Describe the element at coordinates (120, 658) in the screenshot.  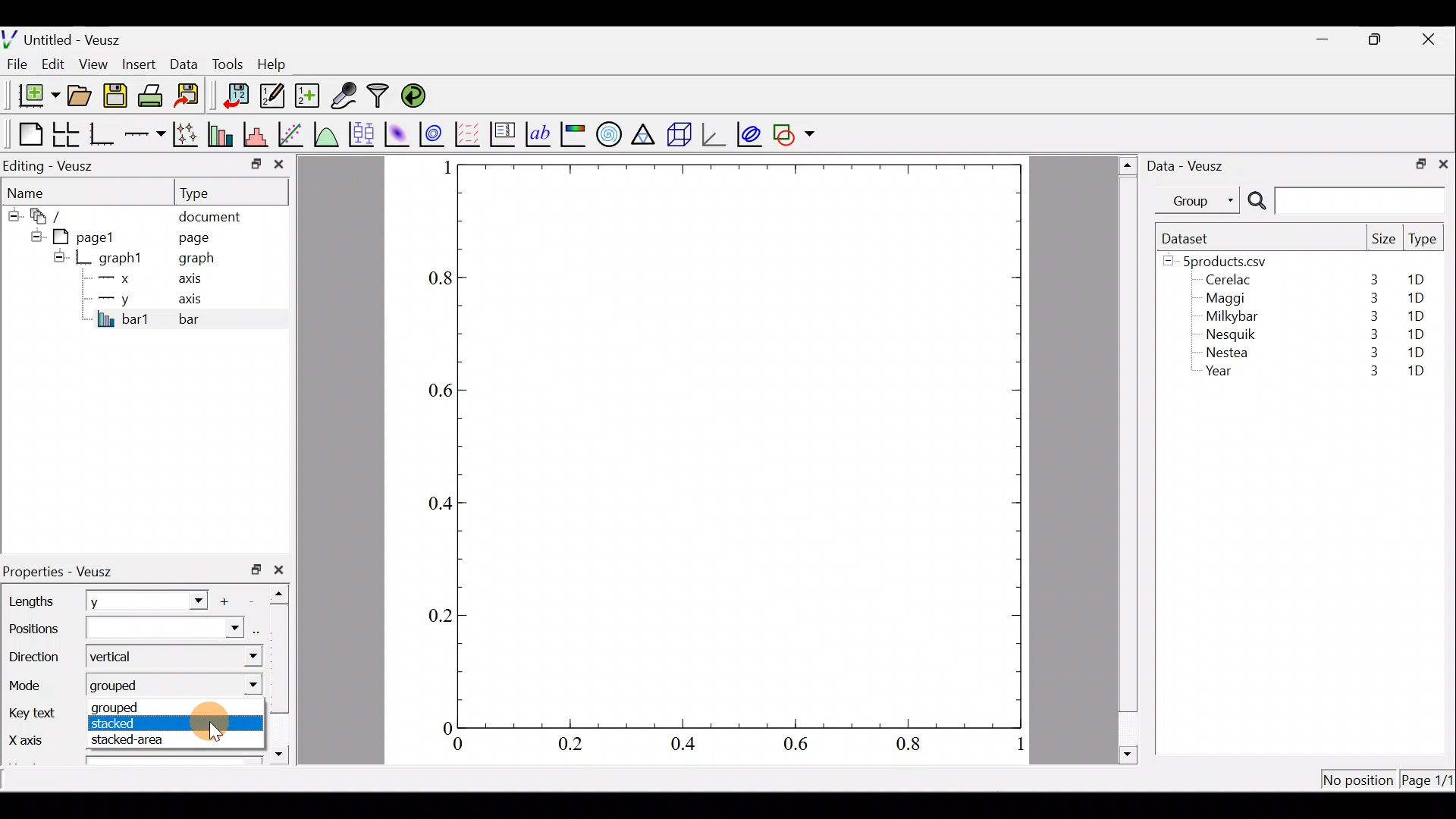
I see `Vertical` at that location.